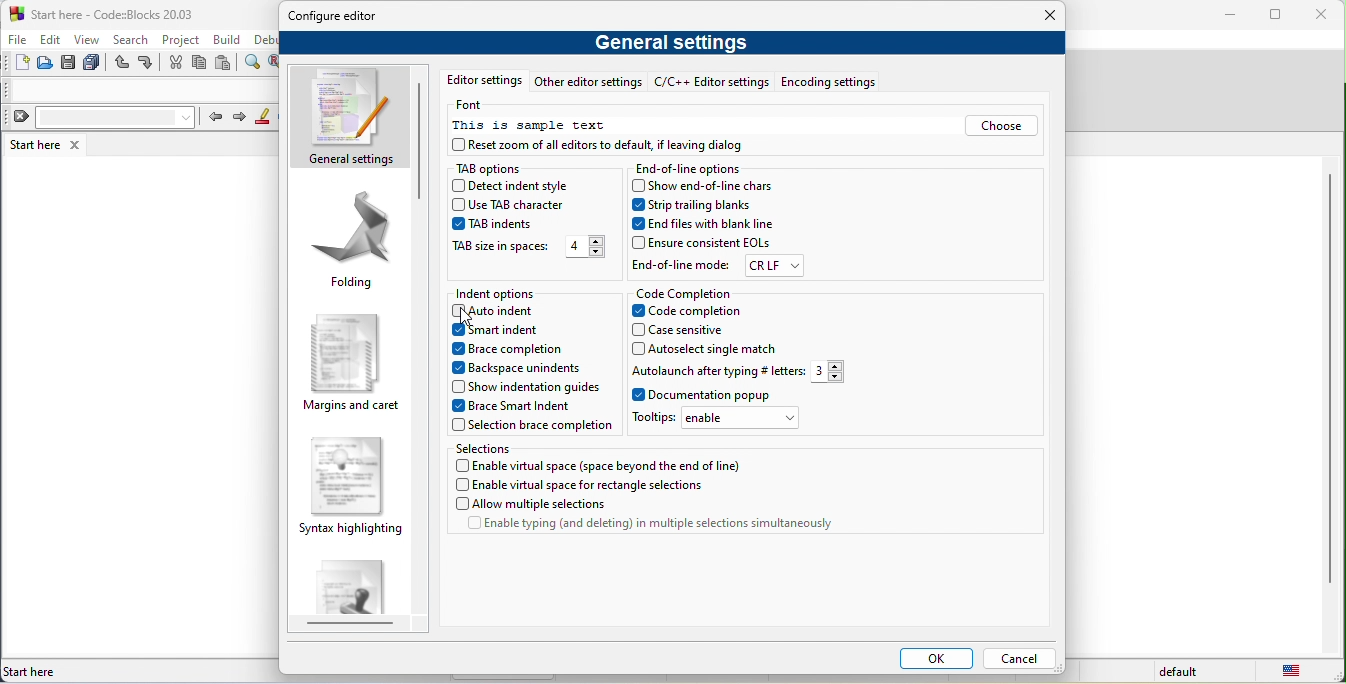 This screenshot has height=684, width=1346. Describe the element at coordinates (245, 118) in the screenshot. I see `next` at that location.